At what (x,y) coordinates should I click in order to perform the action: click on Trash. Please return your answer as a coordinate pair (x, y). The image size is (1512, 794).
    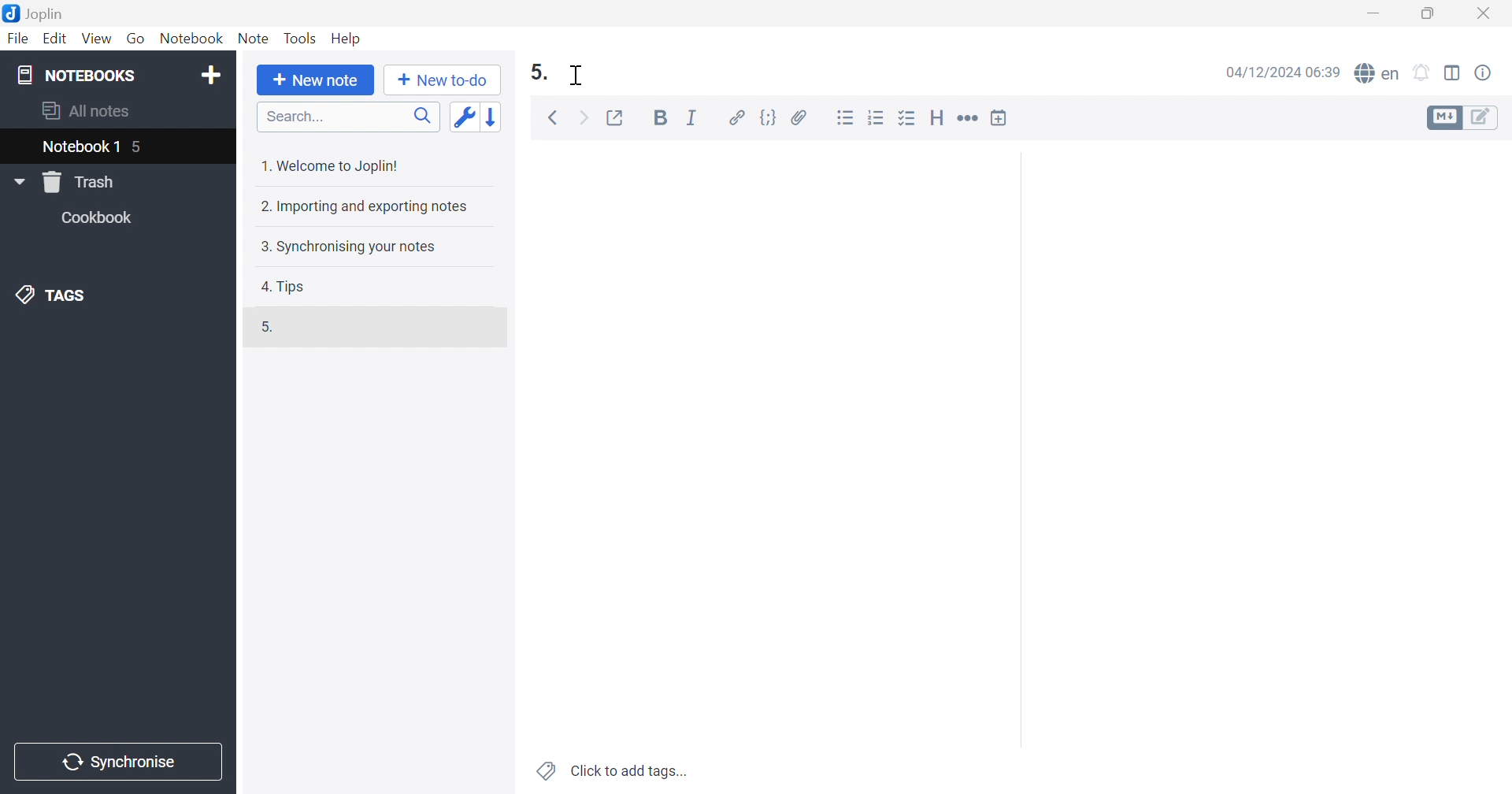
    Looking at the image, I should click on (79, 183).